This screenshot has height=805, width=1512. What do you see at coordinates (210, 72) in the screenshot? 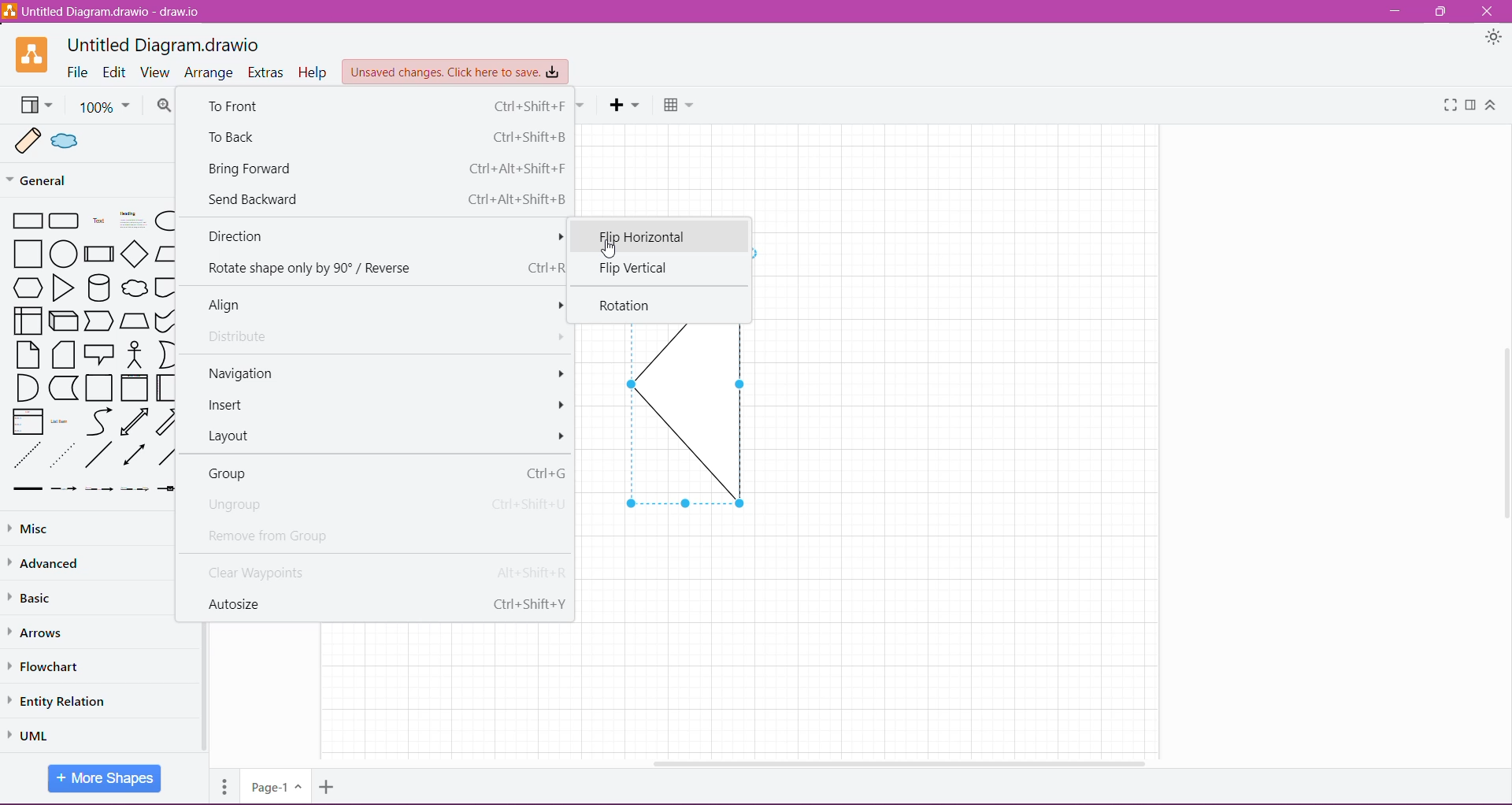
I see `Arrange` at bounding box center [210, 72].